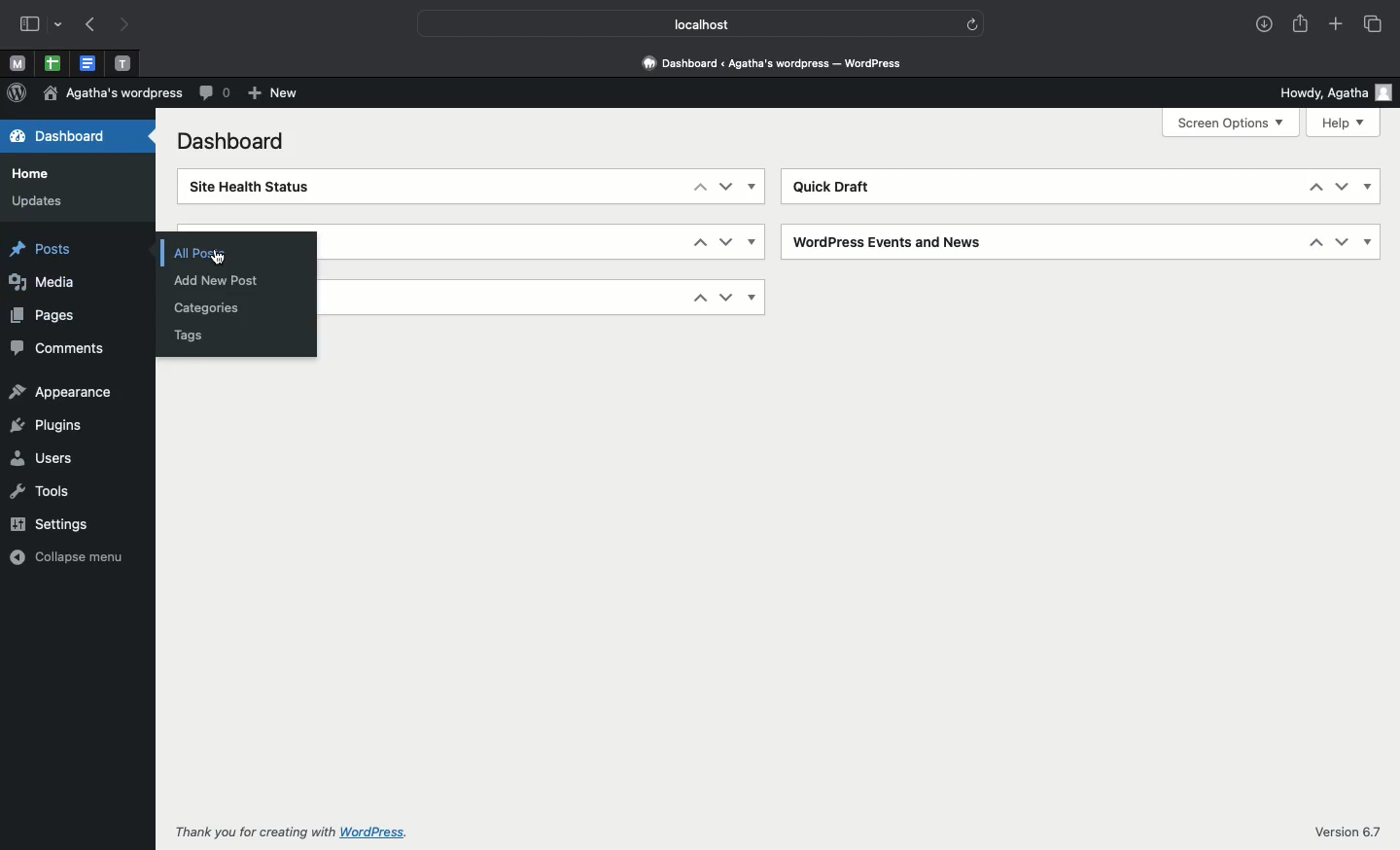 The height and width of the screenshot is (850, 1400). Describe the element at coordinates (17, 93) in the screenshot. I see `Wordpress` at that location.